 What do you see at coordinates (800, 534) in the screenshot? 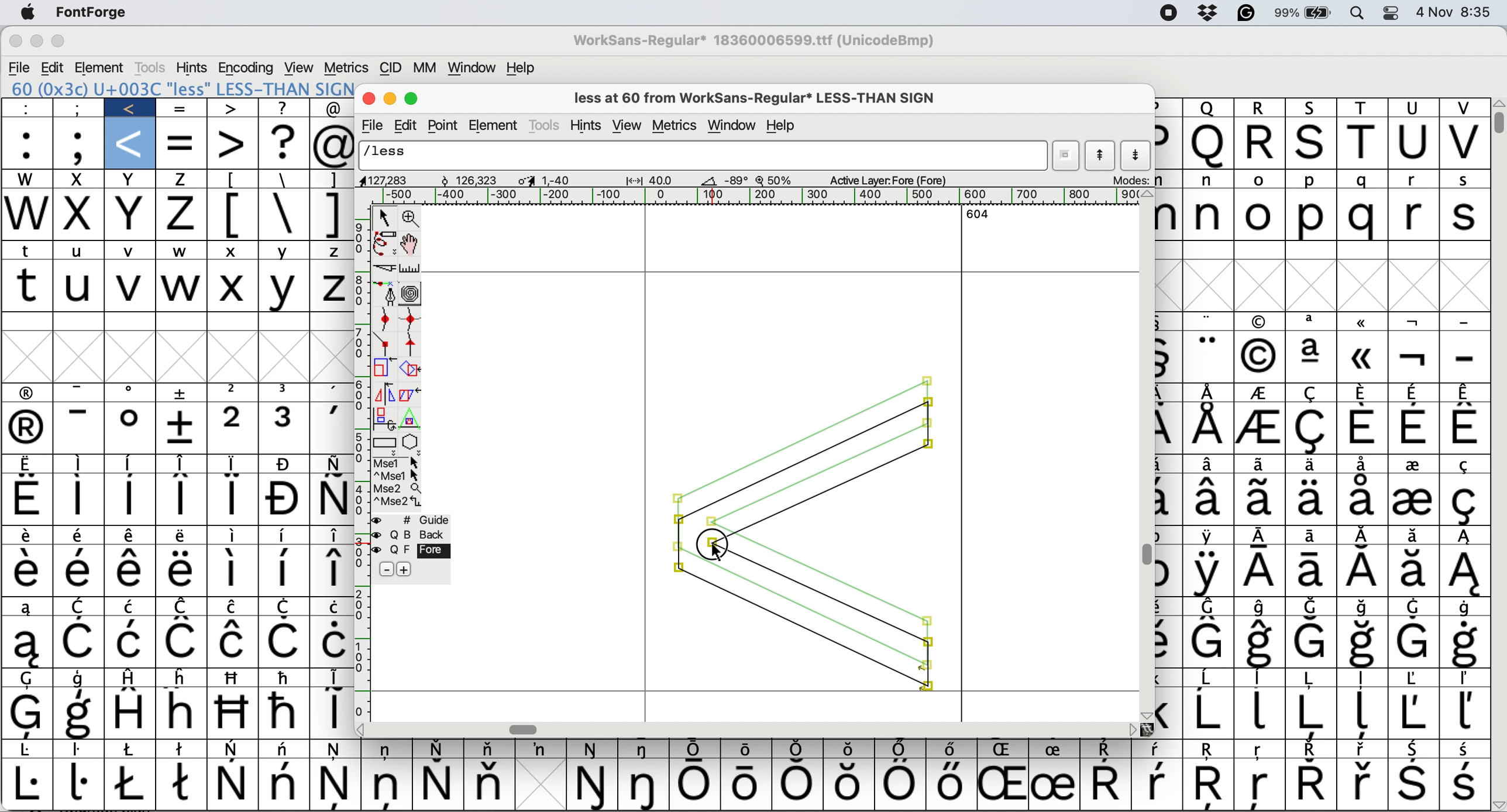
I see `drag glyph to baseline` at bounding box center [800, 534].